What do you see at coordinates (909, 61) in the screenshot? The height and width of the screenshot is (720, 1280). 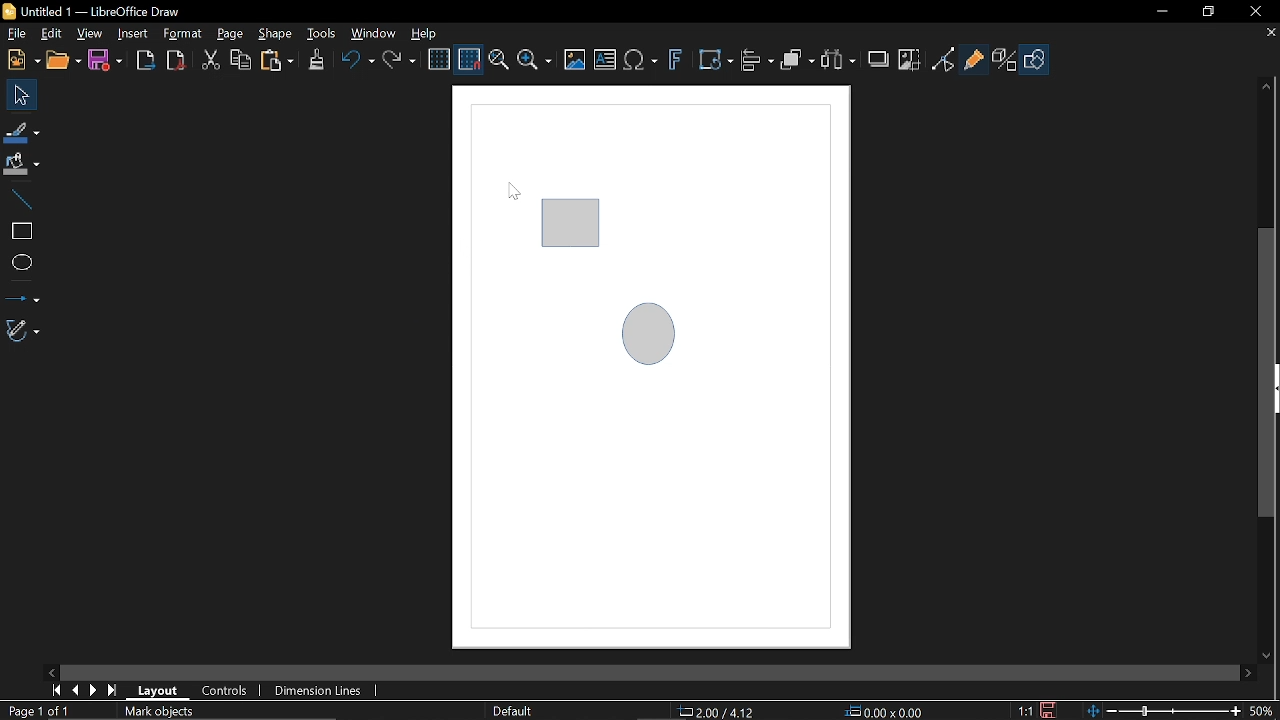 I see `Crop` at bounding box center [909, 61].